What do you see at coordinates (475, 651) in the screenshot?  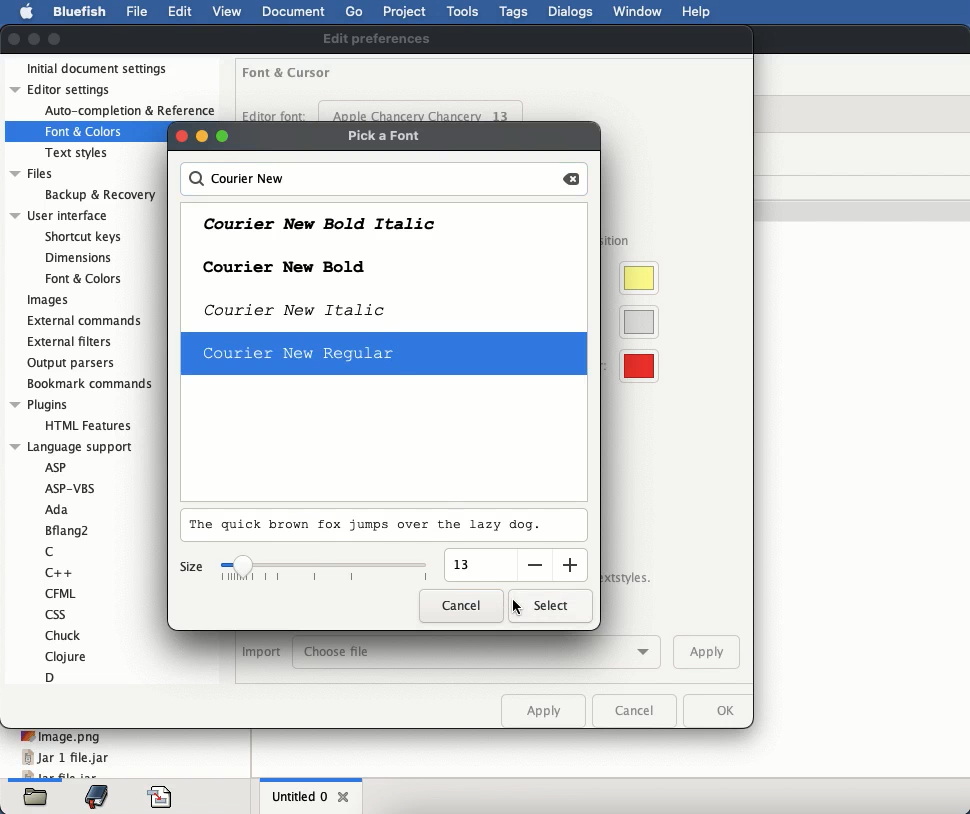 I see `choose file` at bounding box center [475, 651].